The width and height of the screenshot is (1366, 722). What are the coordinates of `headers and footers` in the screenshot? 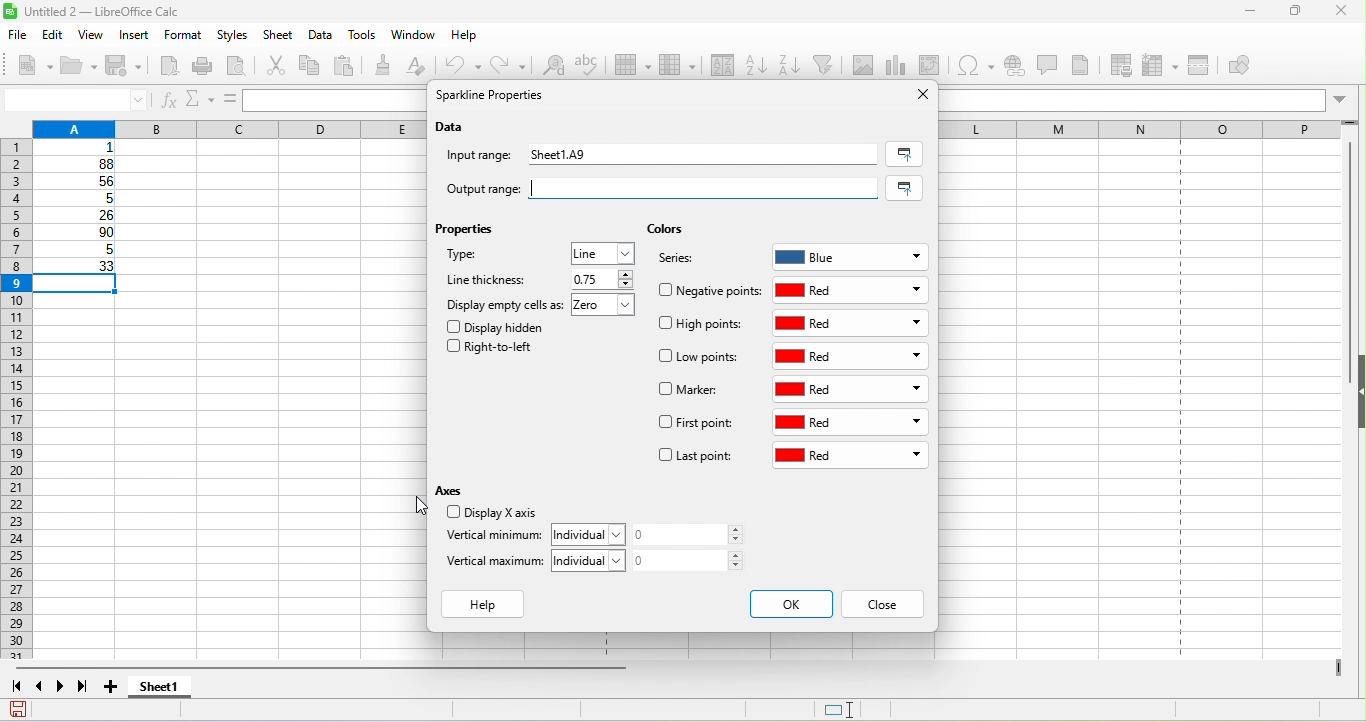 It's located at (1088, 65).